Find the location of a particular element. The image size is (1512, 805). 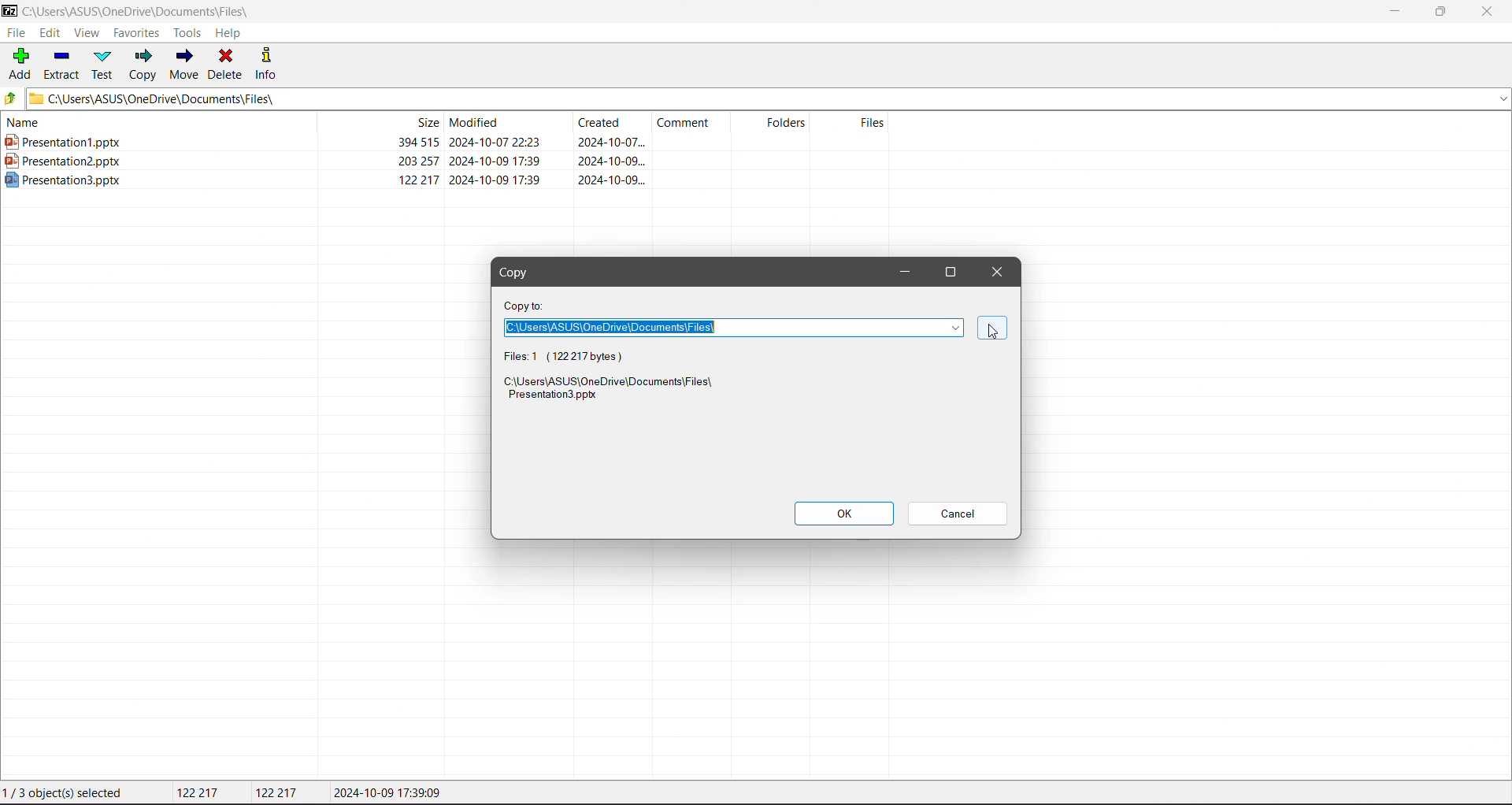

Help is located at coordinates (230, 34).